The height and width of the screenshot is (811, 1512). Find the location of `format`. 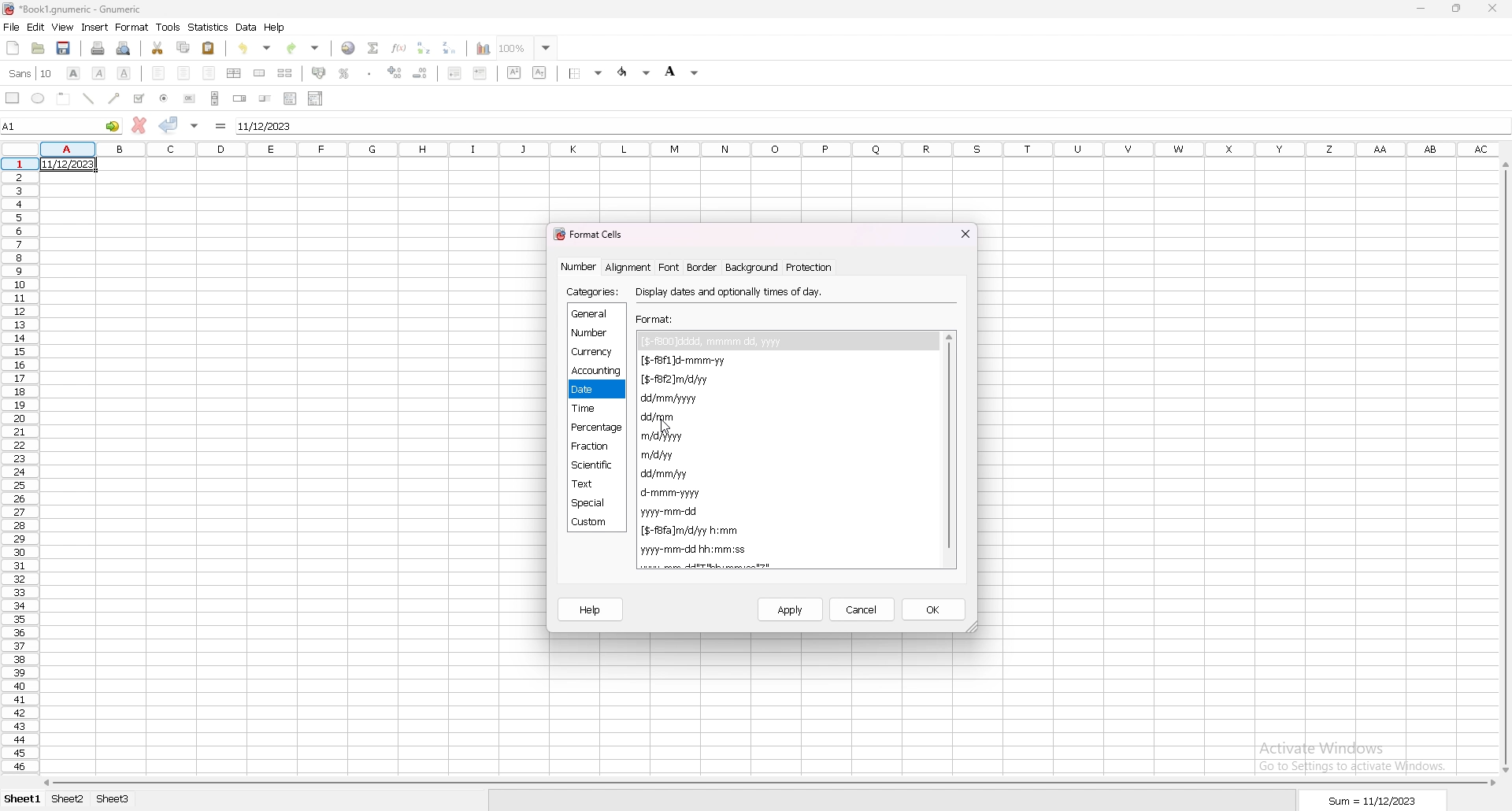

format is located at coordinates (132, 27).